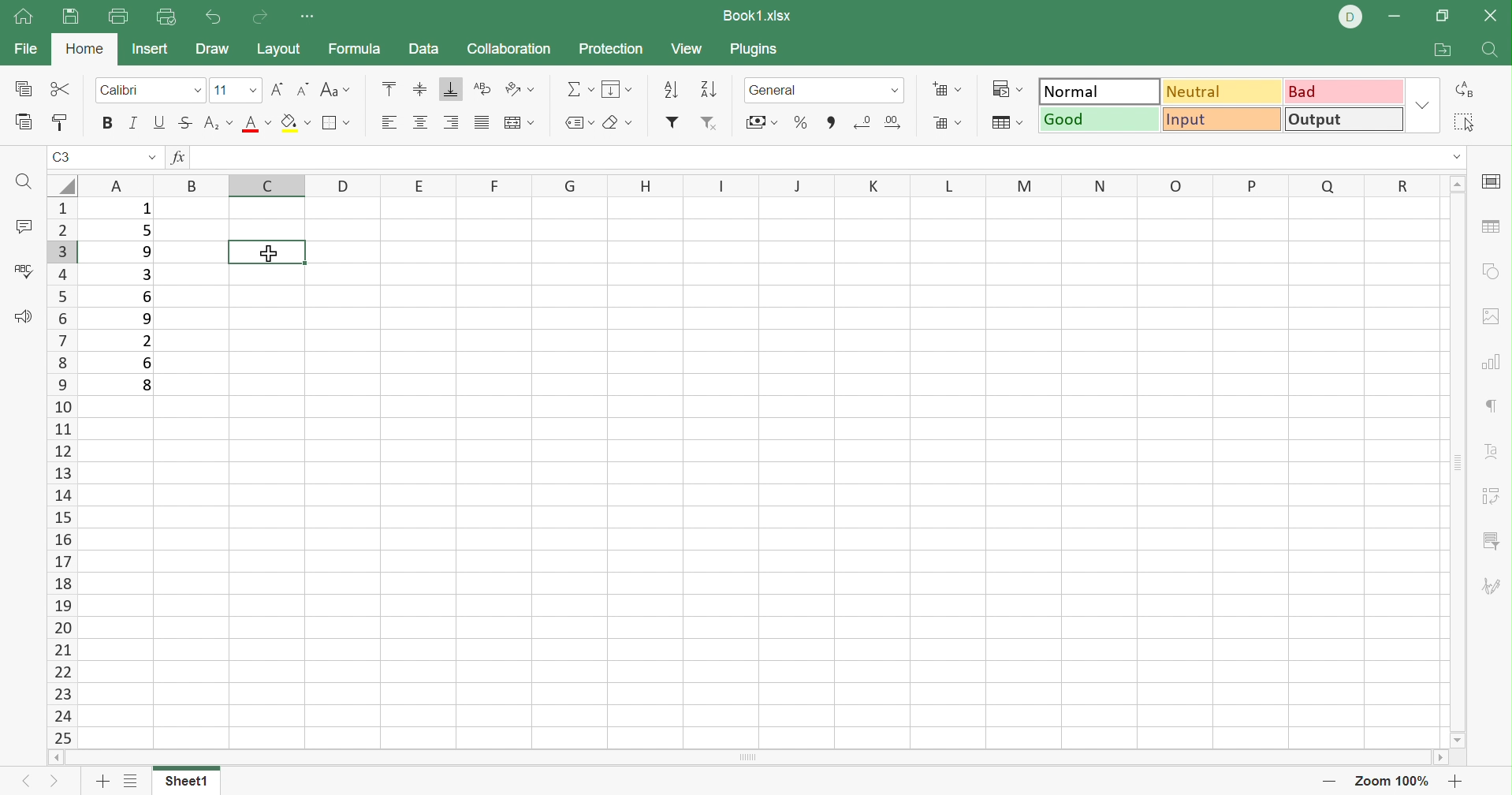 The height and width of the screenshot is (795, 1512). Describe the element at coordinates (424, 50) in the screenshot. I see `Data` at that location.